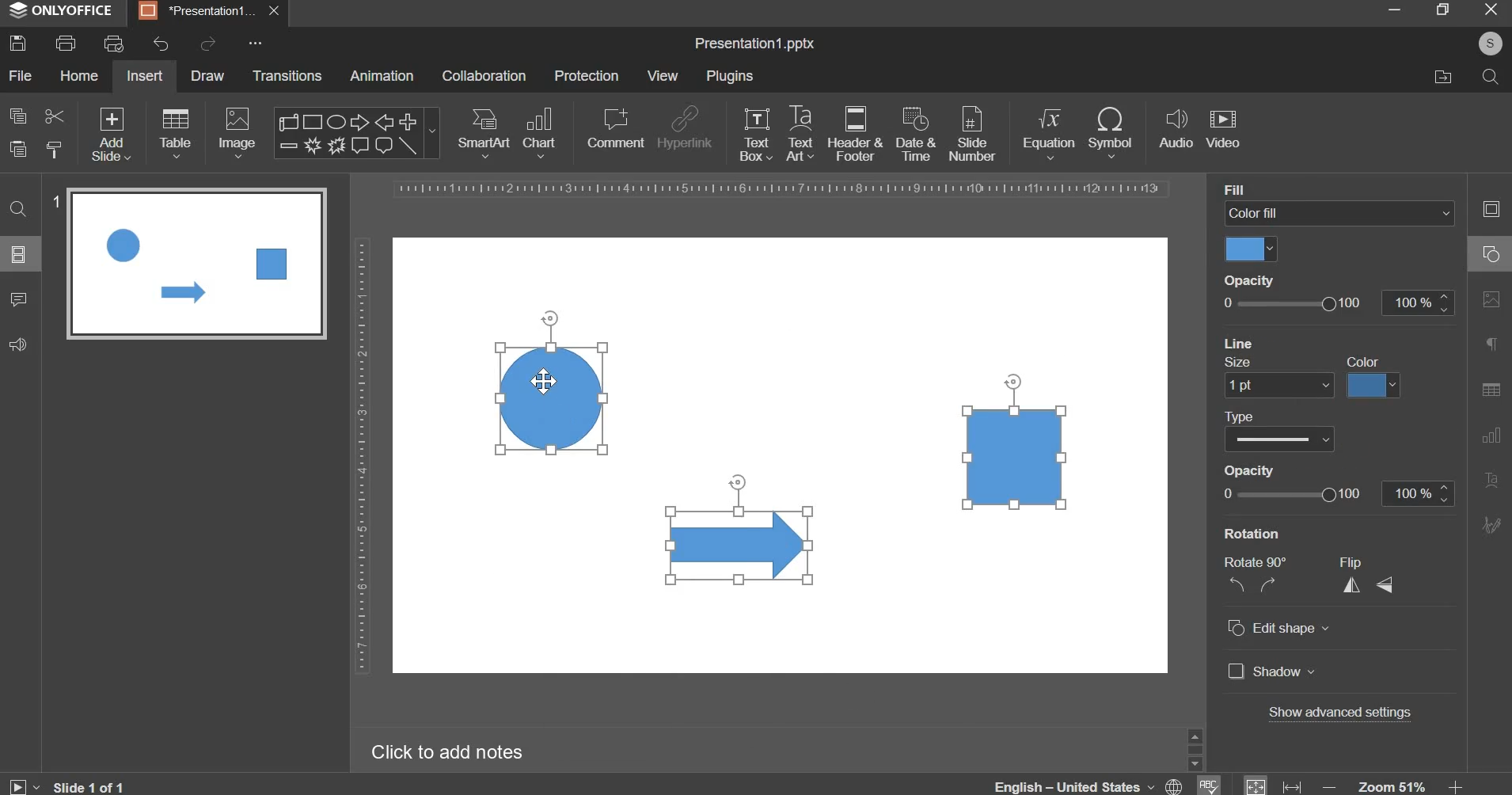 This screenshot has width=1512, height=795. What do you see at coordinates (1091, 782) in the screenshot?
I see `language` at bounding box center [1091, 782].